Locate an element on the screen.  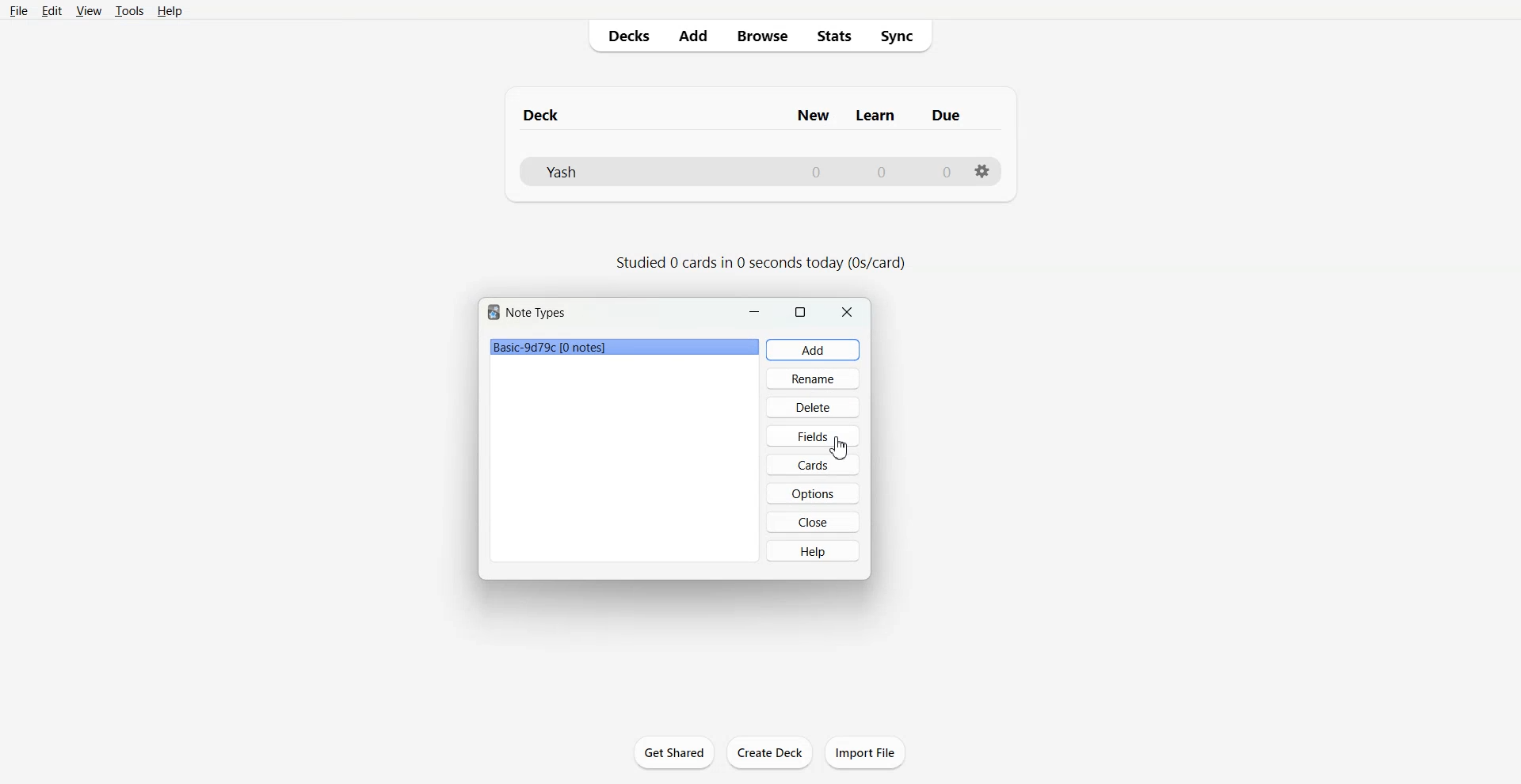
Cursor is located at coordinates (839, 448).